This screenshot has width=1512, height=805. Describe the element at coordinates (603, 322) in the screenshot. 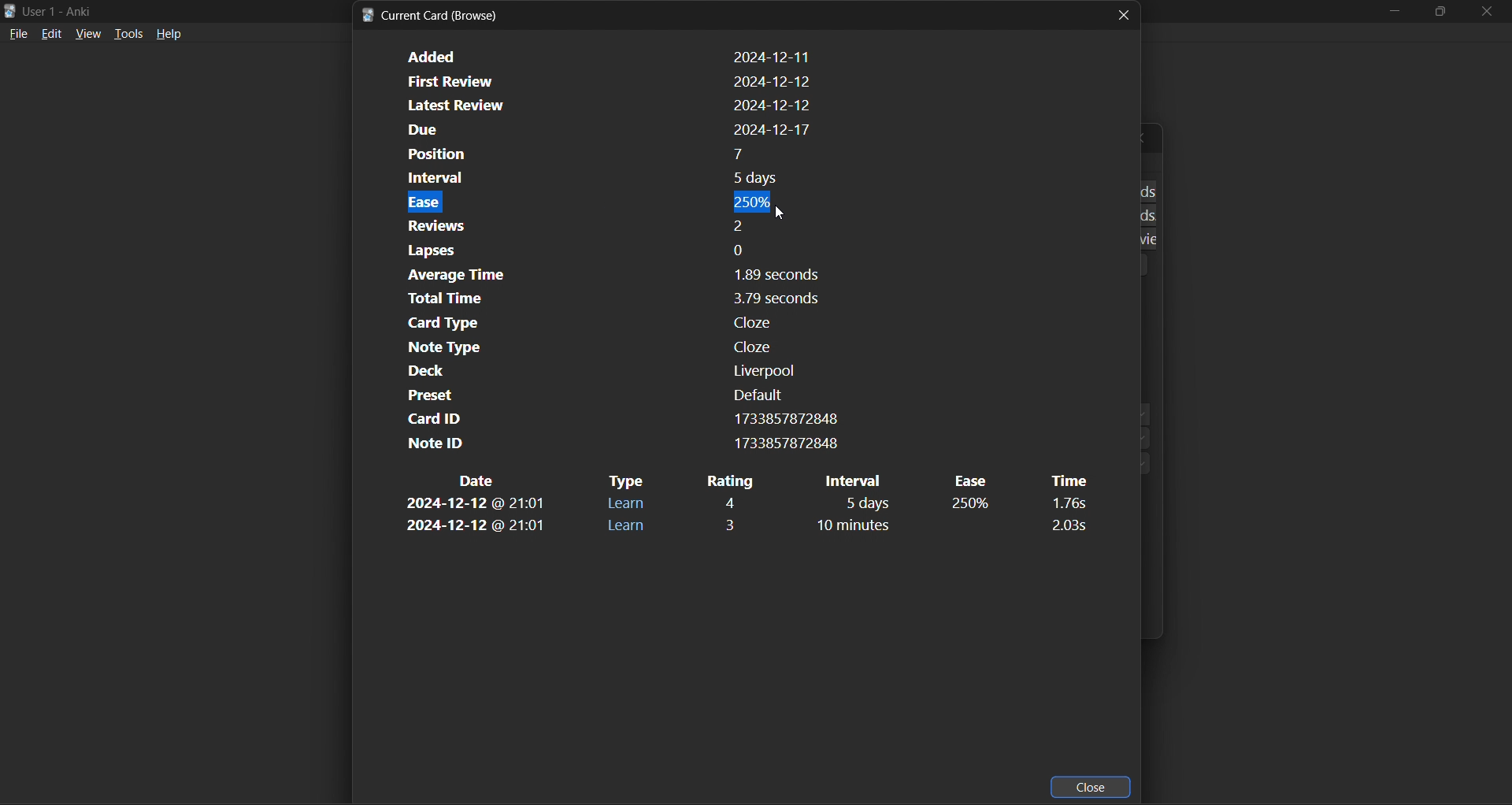

I see `card type` at that location.